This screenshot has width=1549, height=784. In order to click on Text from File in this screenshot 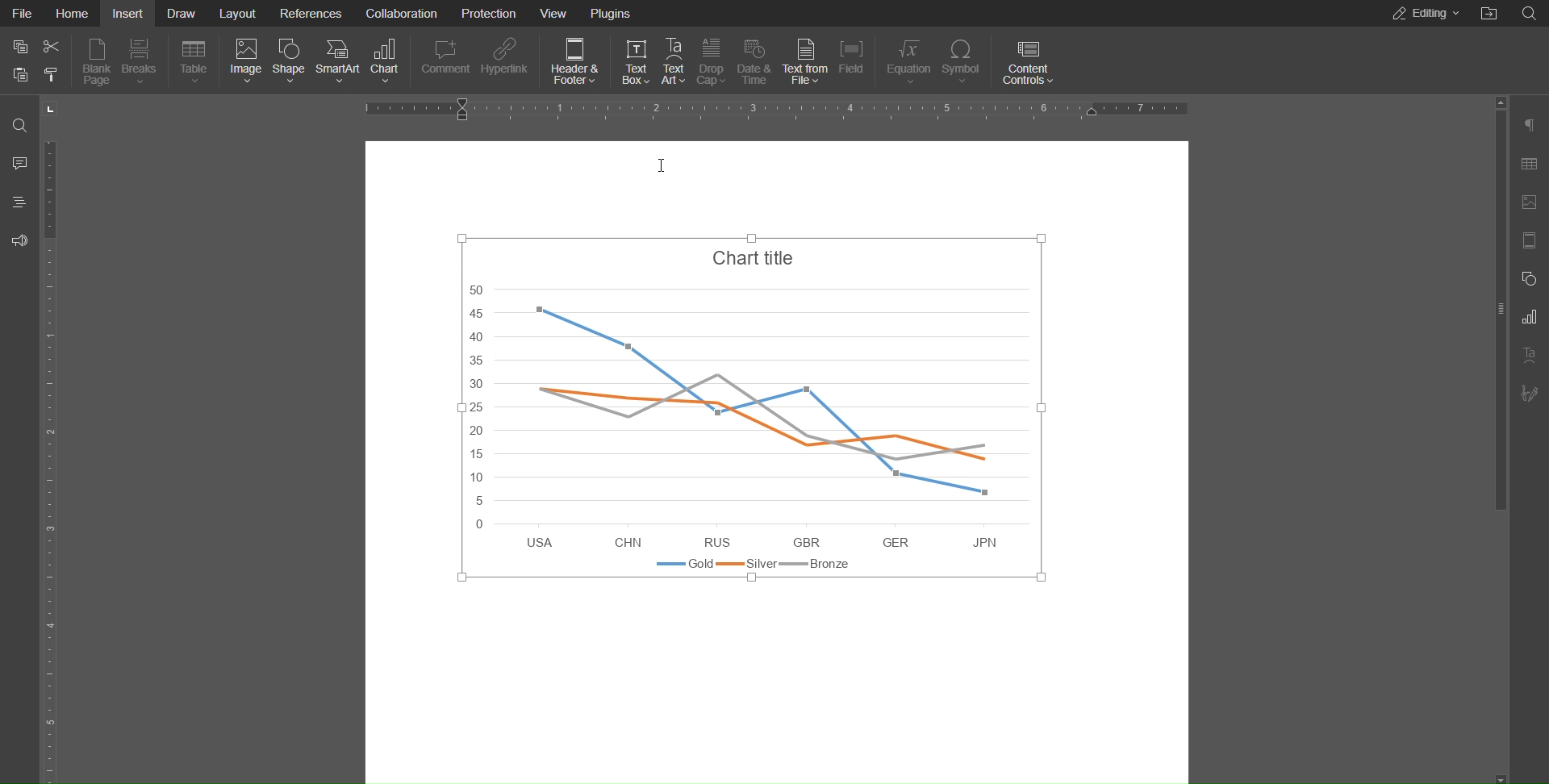, I will do `click(806, 60)`.